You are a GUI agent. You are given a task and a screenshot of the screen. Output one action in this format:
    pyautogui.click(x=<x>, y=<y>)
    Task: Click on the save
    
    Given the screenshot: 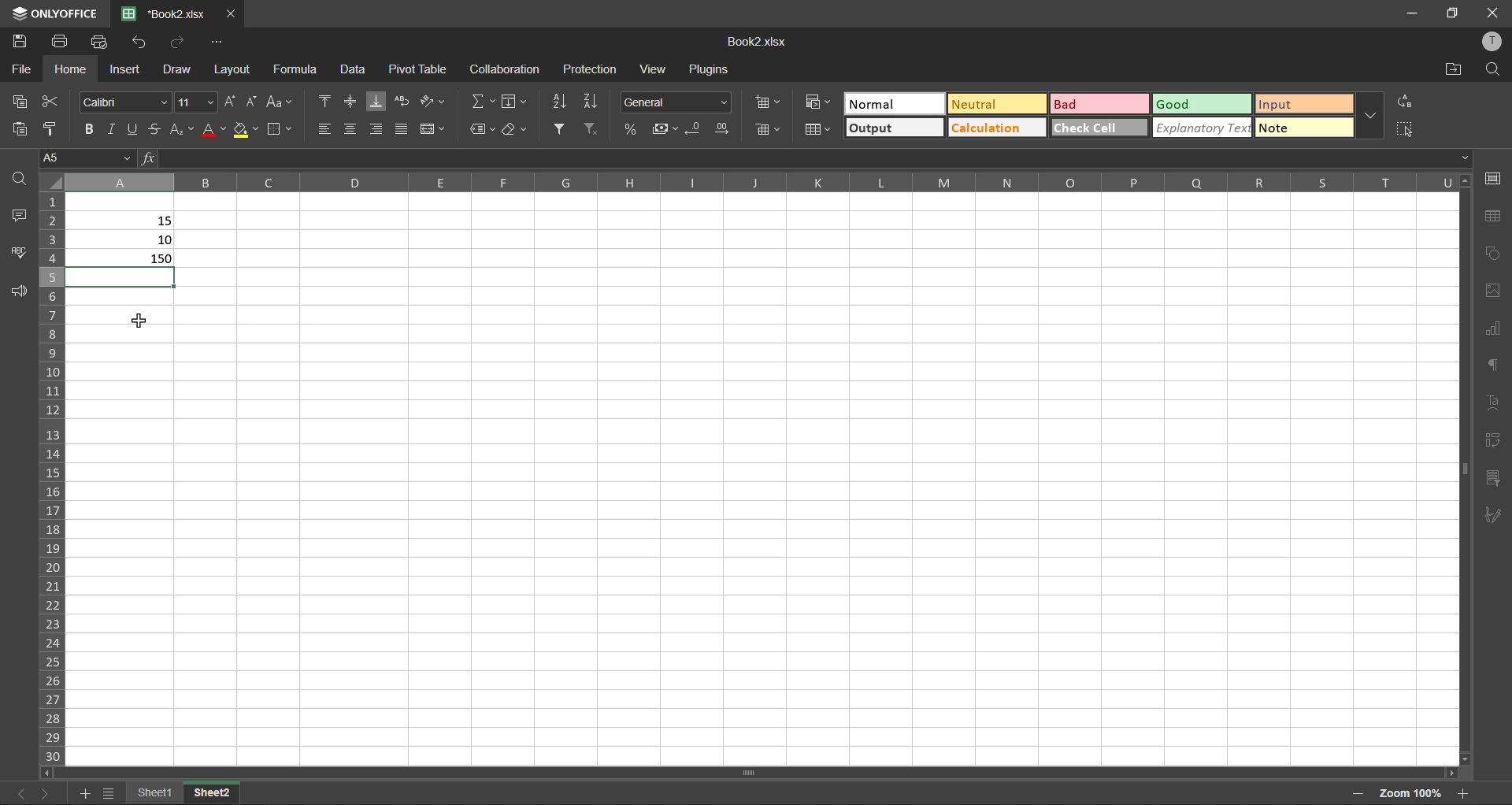 What is the action you would take?
    pyautogui.click(x=19, y=37)
    